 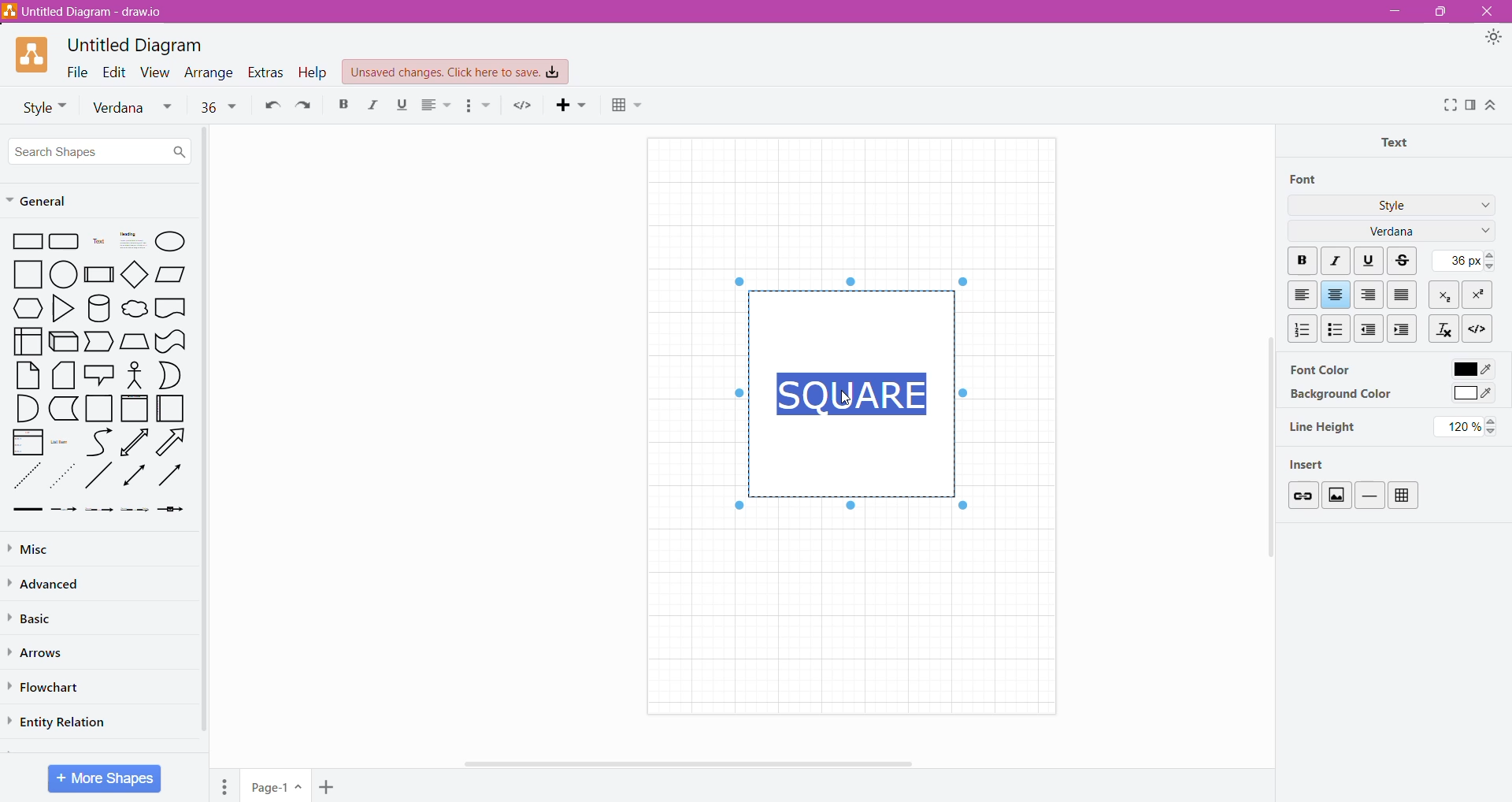 What do you see at coordinates (269, 104) in the screenshot?
I see `Undo` at bounding box center [269, 104].